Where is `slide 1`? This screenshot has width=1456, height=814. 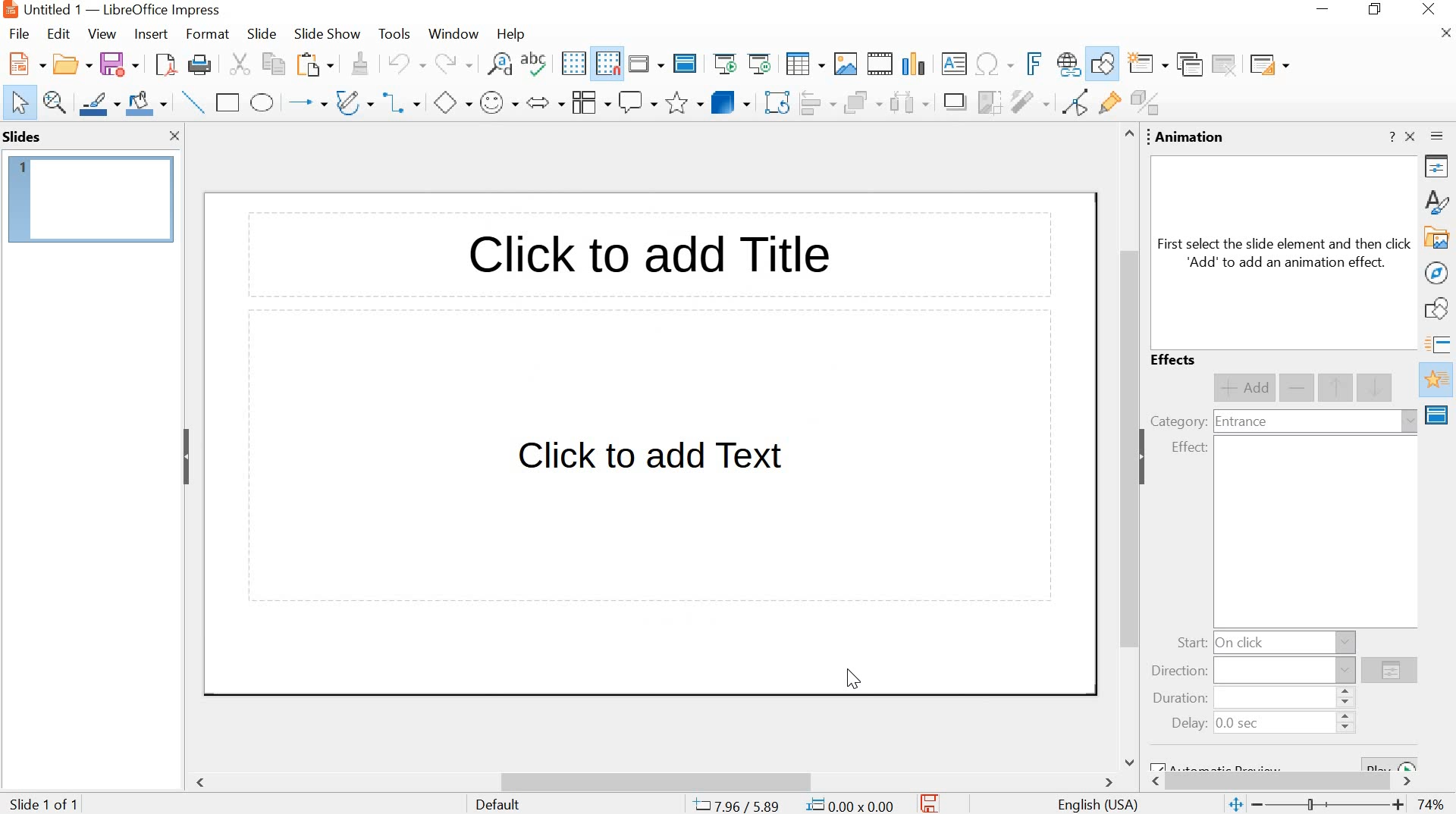 slide 1 is located at coordinates (92, 199).